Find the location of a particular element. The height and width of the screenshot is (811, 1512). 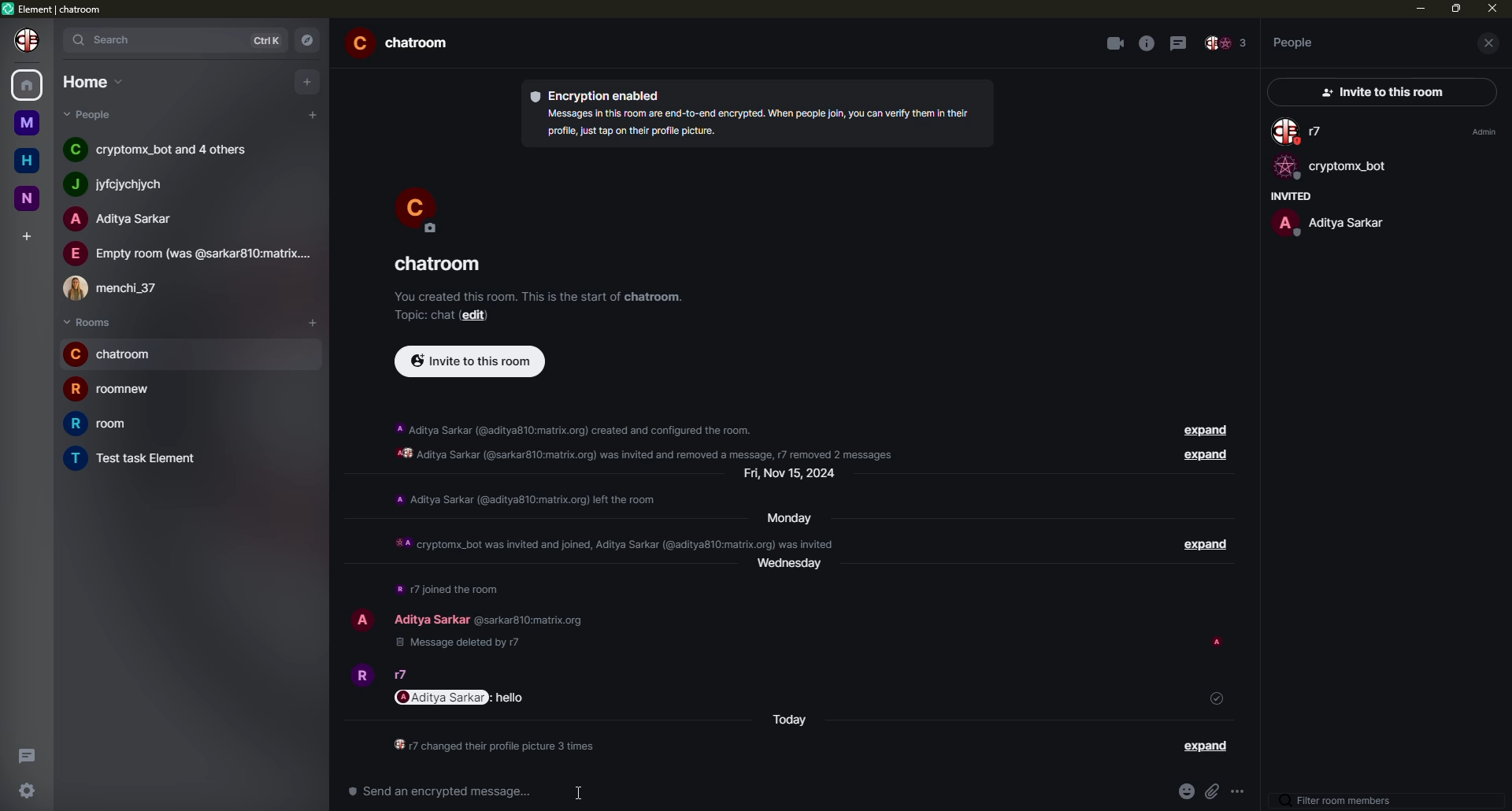

ctrlK is located at coordinates (267, 41).